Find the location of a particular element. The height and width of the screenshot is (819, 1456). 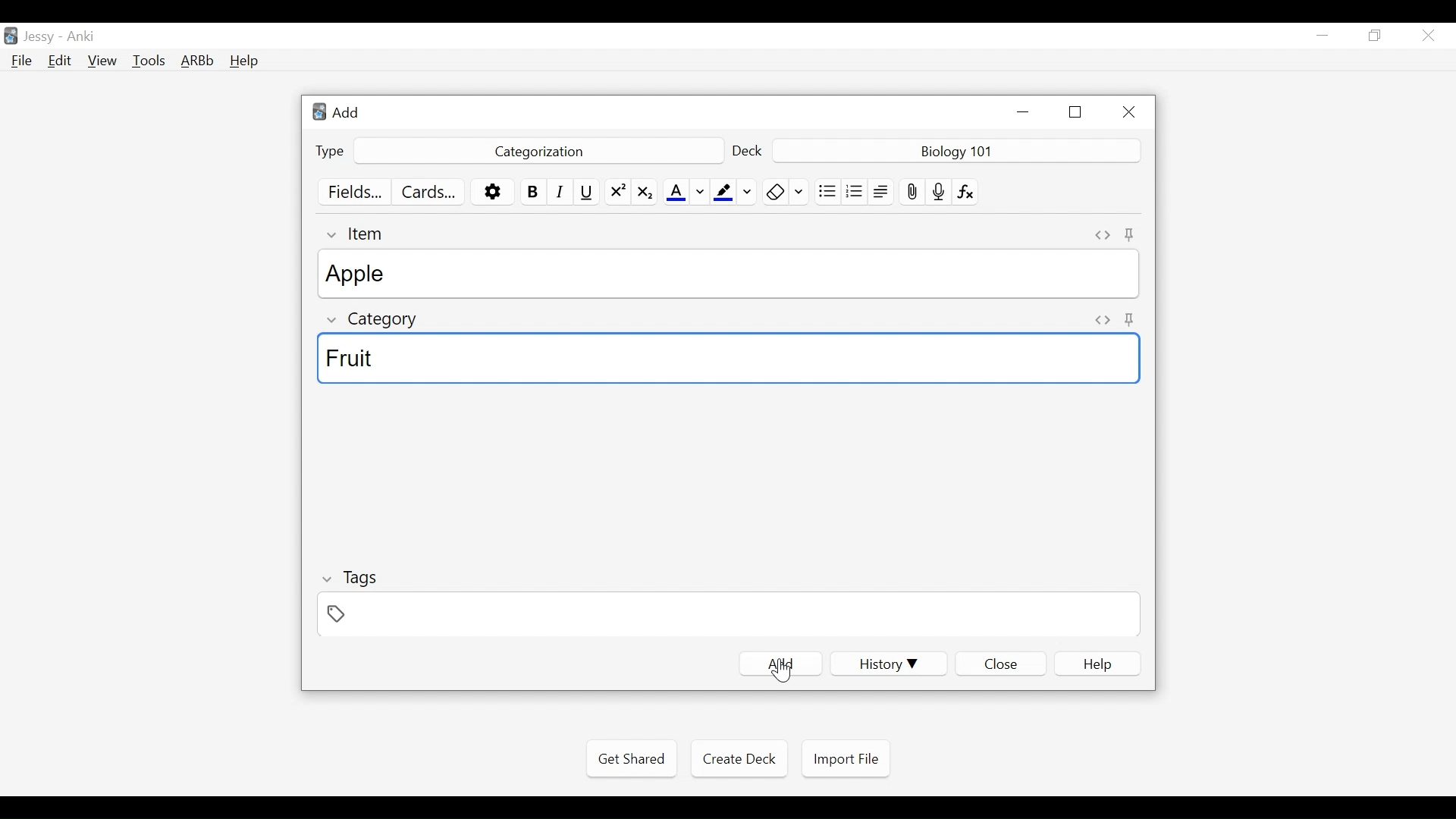

minimize is located at coordinates (1022, 111).